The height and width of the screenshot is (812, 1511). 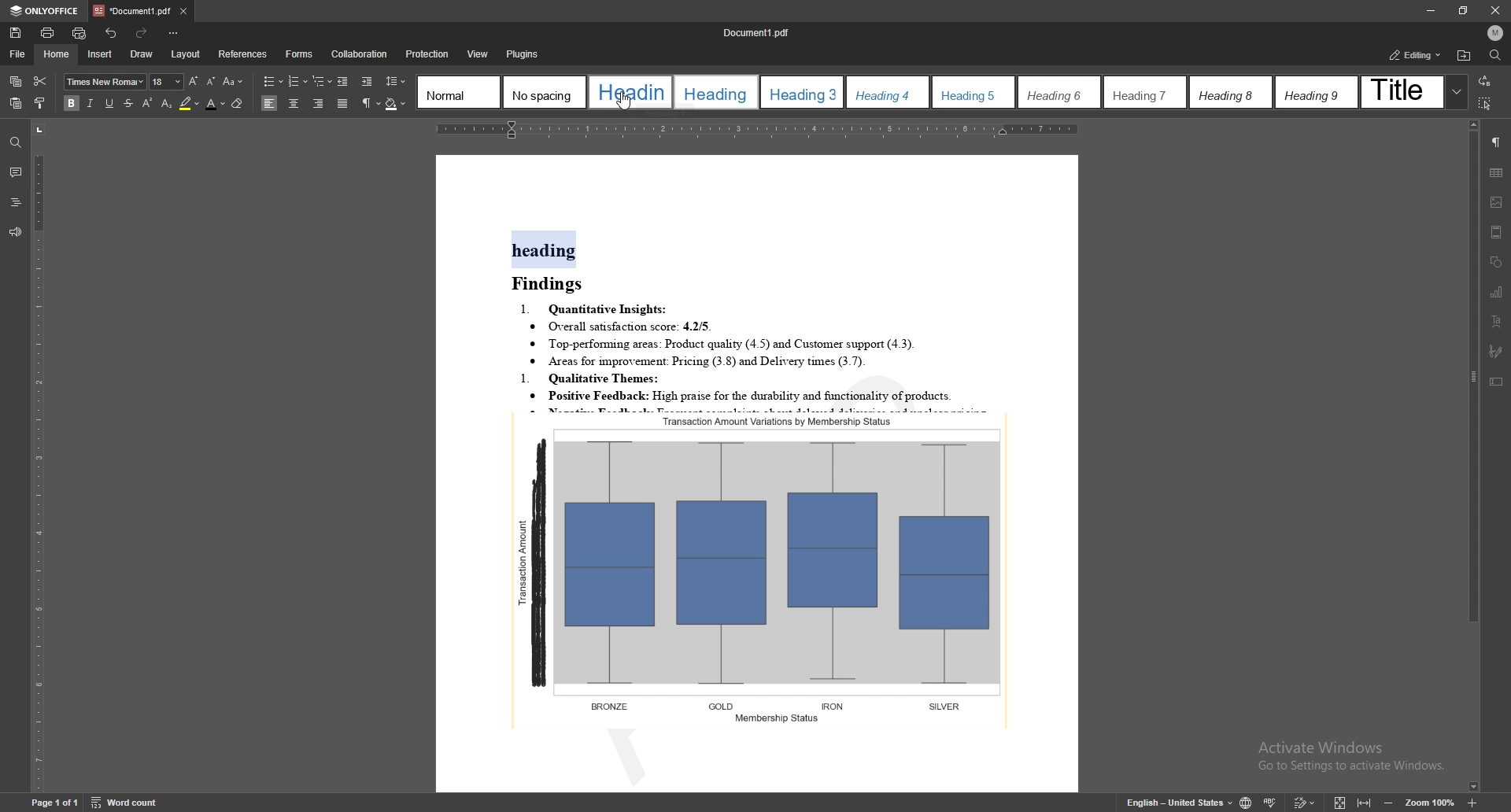 I want to click on paste, so click(x=16, y=103).